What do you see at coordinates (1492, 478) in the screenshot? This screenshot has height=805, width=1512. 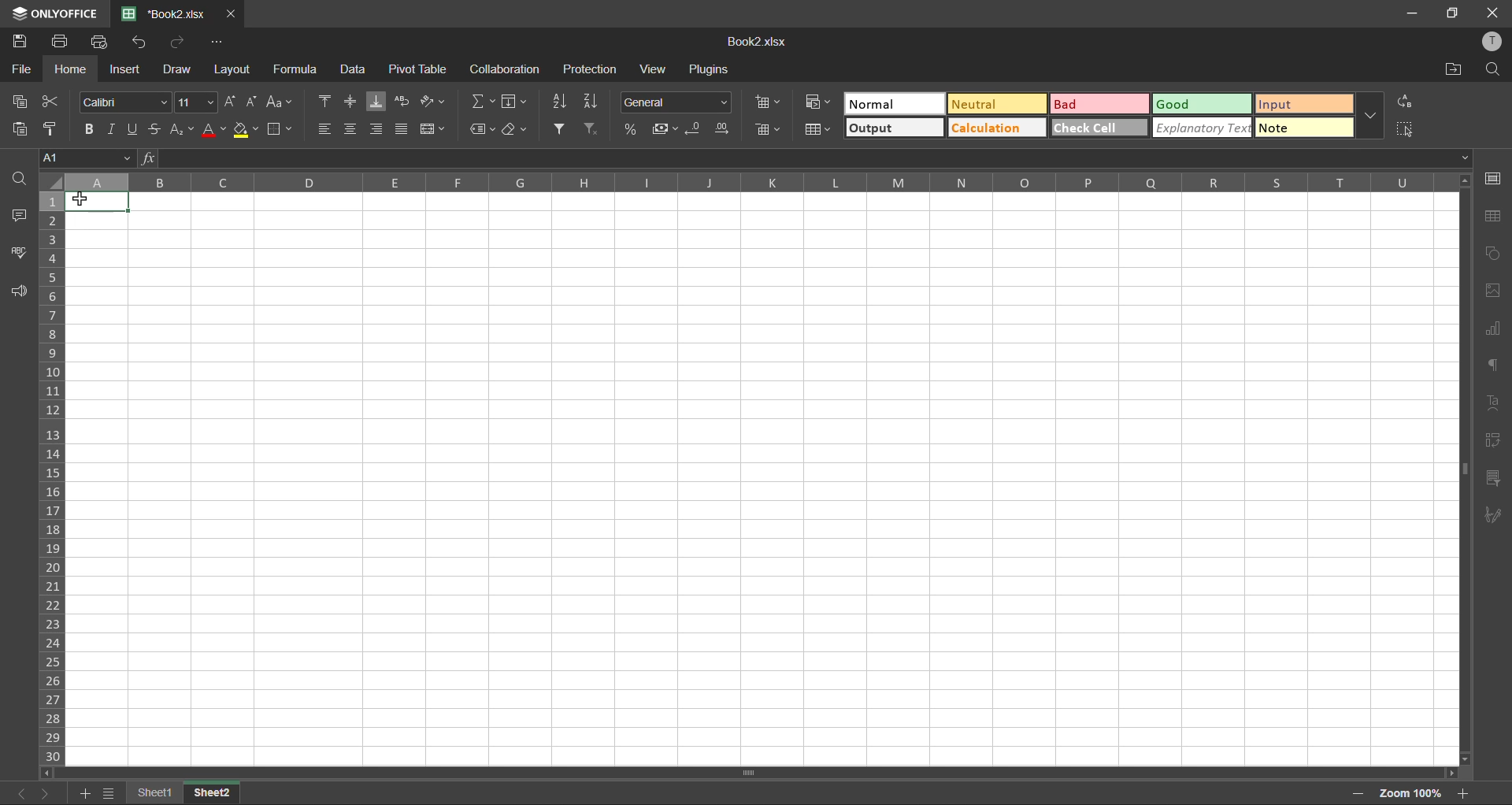 I see `slicer` at bounding box center [1492, 478].